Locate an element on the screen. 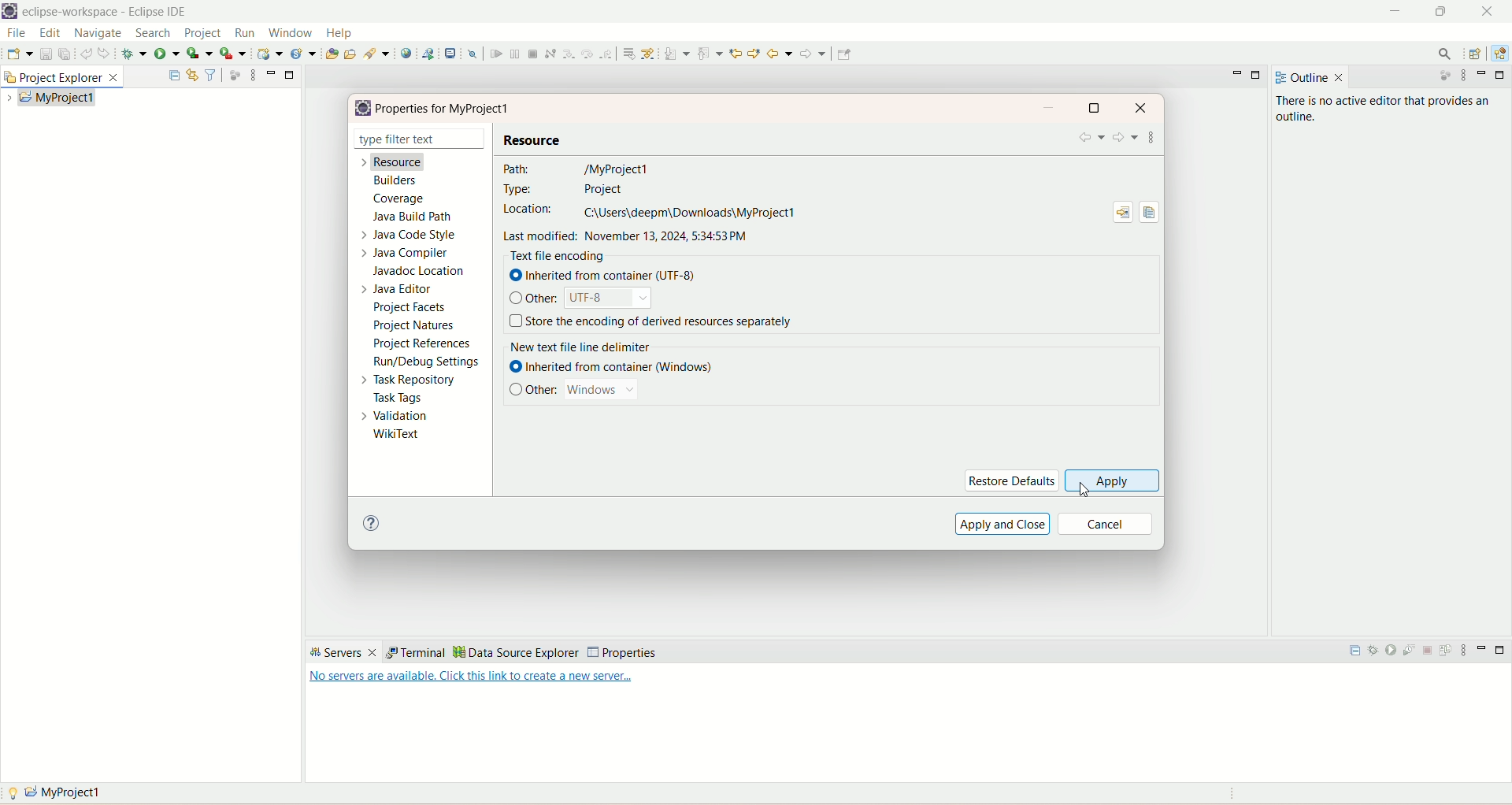 The image size is (1512, 805). java build path is located at coordinates (415, 218).